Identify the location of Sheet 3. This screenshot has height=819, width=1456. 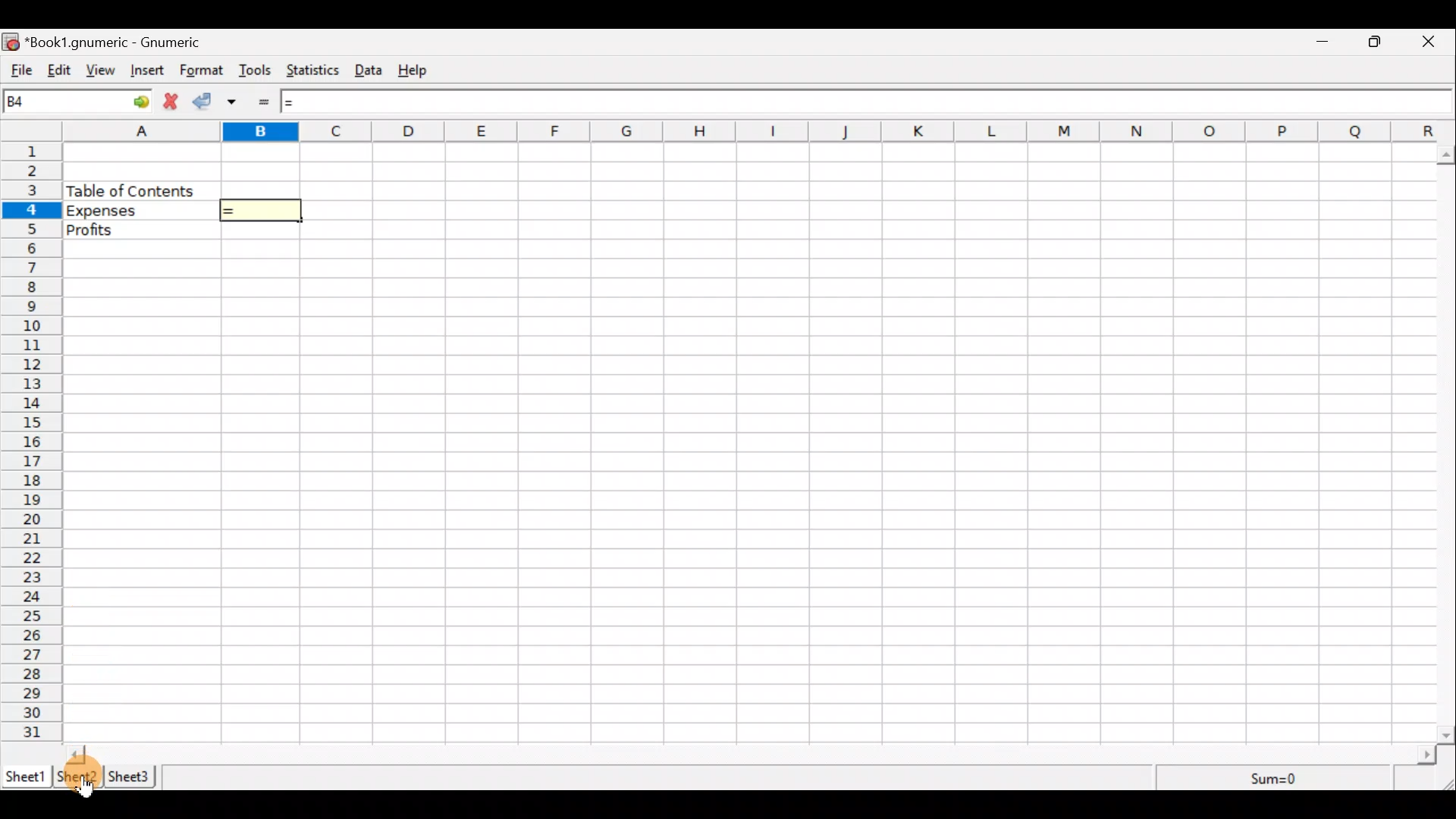
(133, 777).